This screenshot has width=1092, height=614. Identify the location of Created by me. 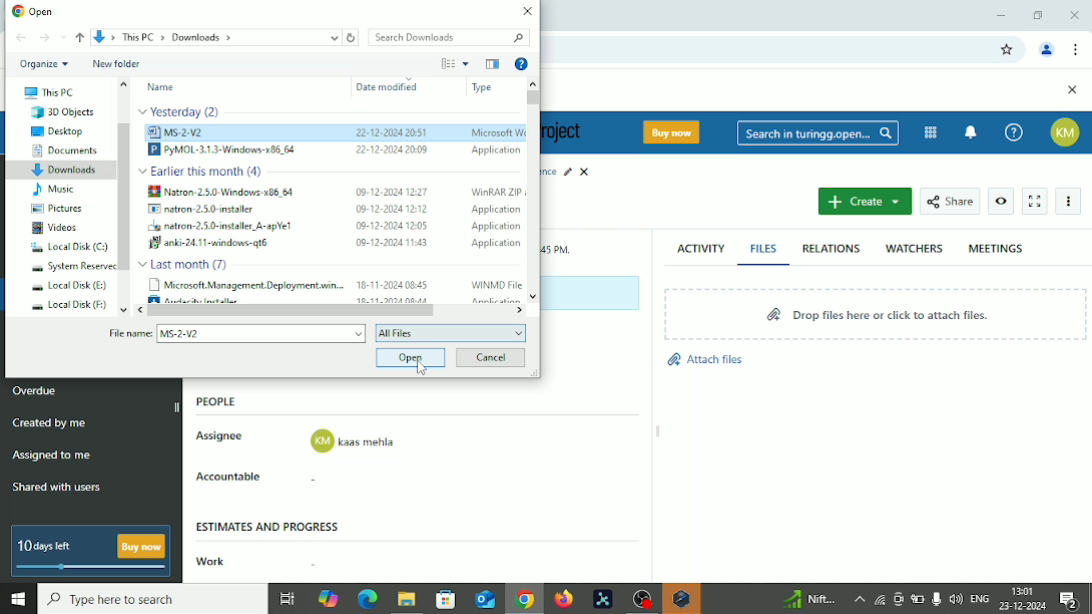
(52, 425).